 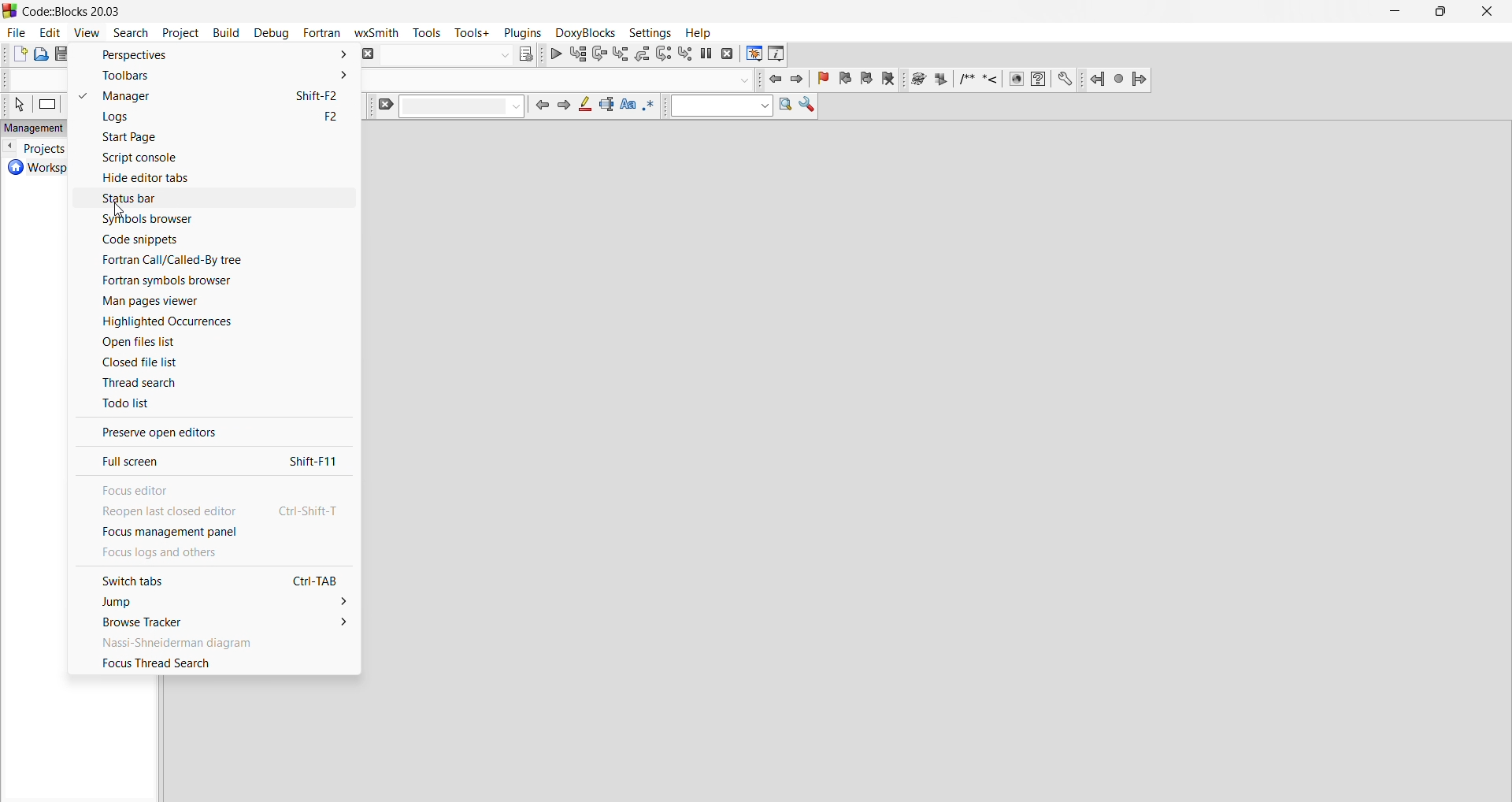 I want to click on code snippets, so click(x=214, y=238).